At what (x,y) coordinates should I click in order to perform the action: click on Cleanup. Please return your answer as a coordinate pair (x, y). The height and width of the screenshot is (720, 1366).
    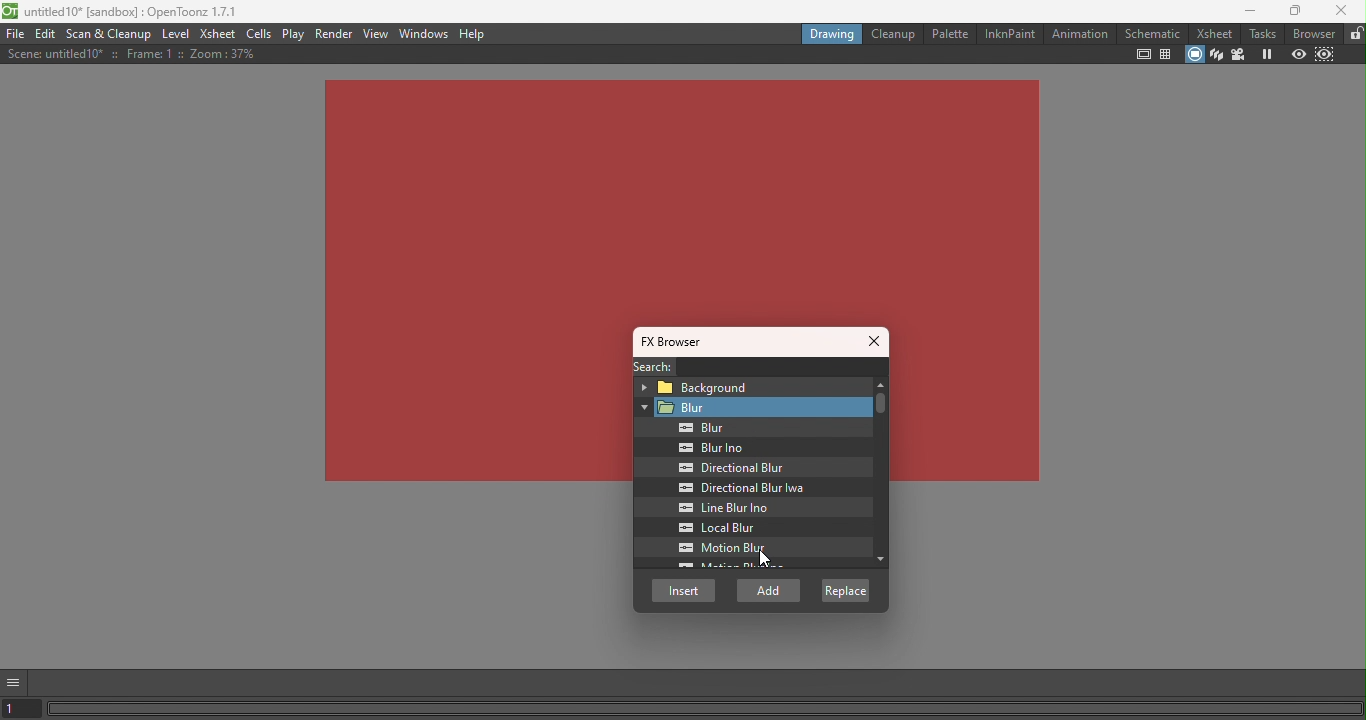
    Looking at the image, I should click on (892, 33).